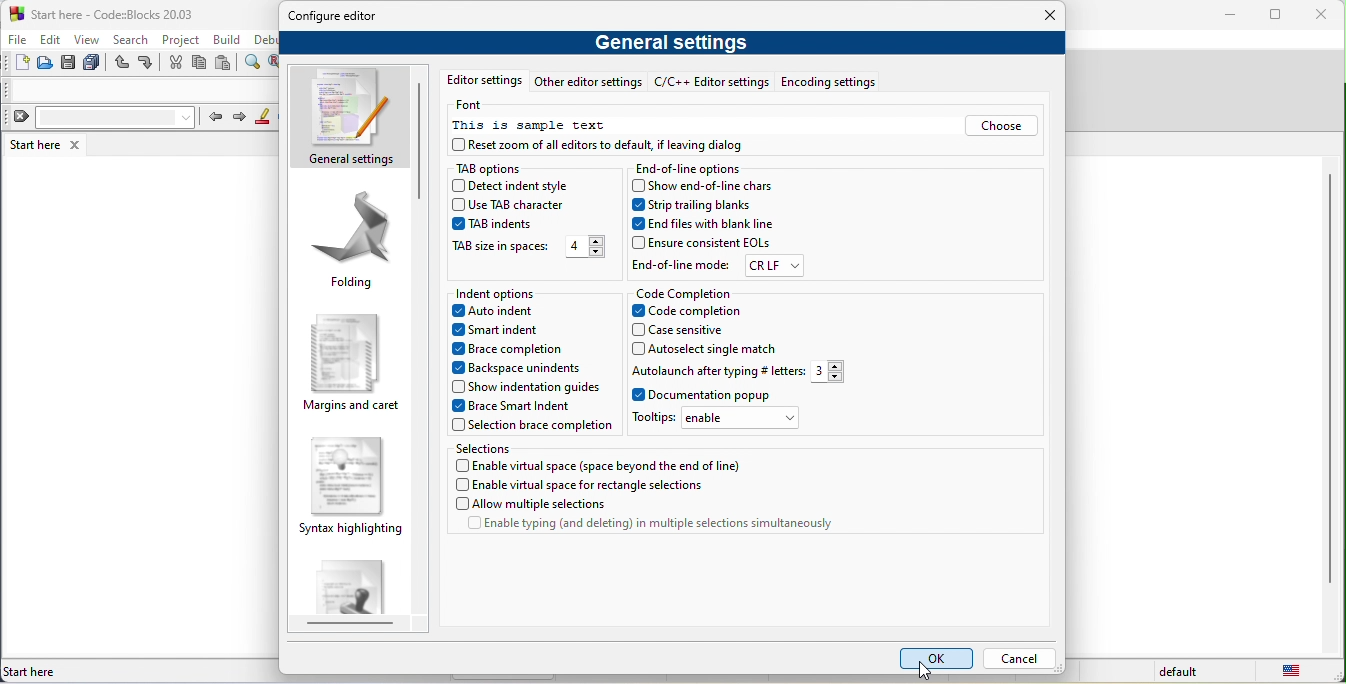 This screenshot has height=684, width=1346. What do you see at coordinates (267, 118) in the screenshot?
I see `highlight` at bounding box center [267, 118].